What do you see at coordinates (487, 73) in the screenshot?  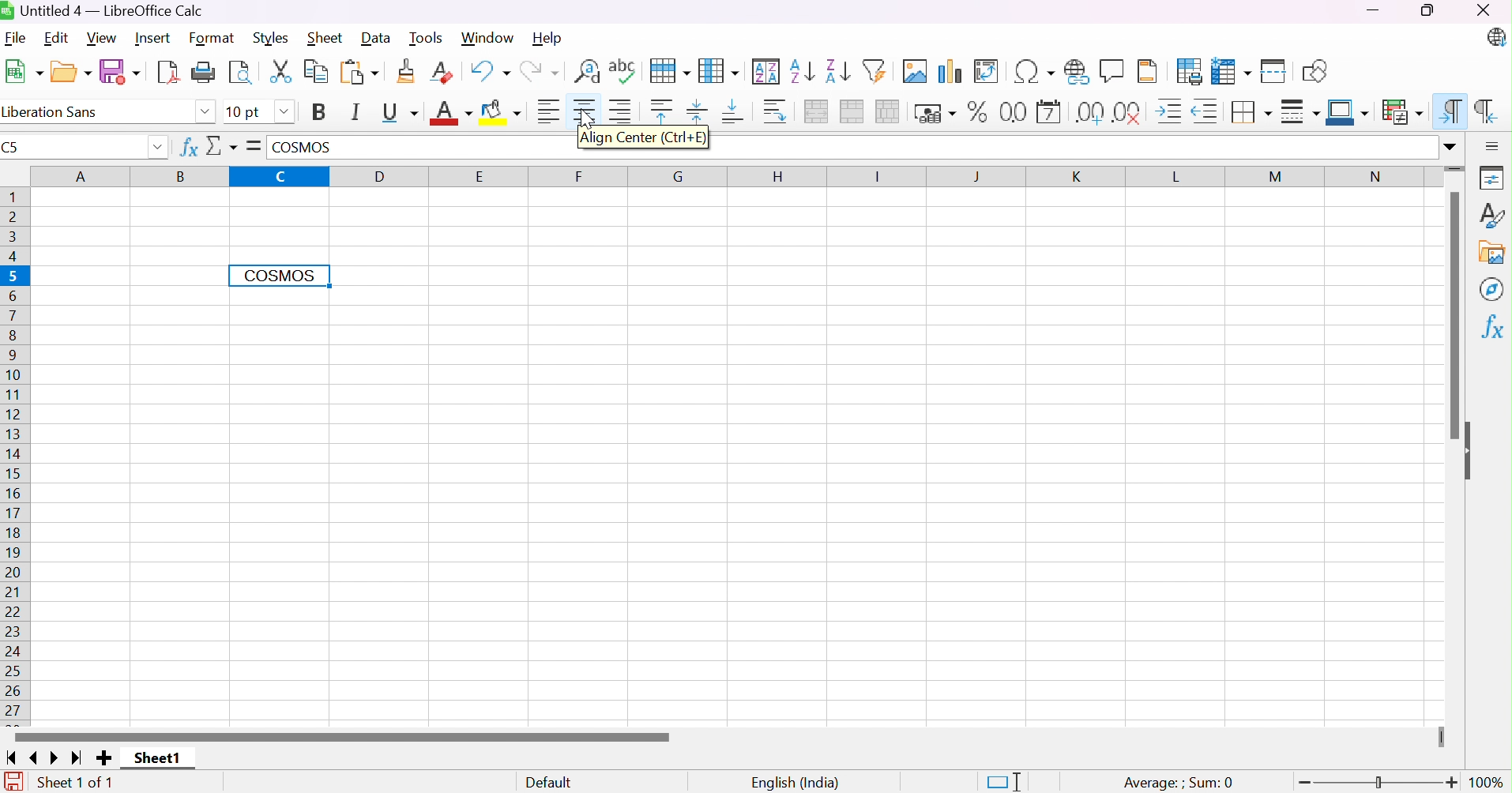 I see `Undo` at bounding box center [487, 73].